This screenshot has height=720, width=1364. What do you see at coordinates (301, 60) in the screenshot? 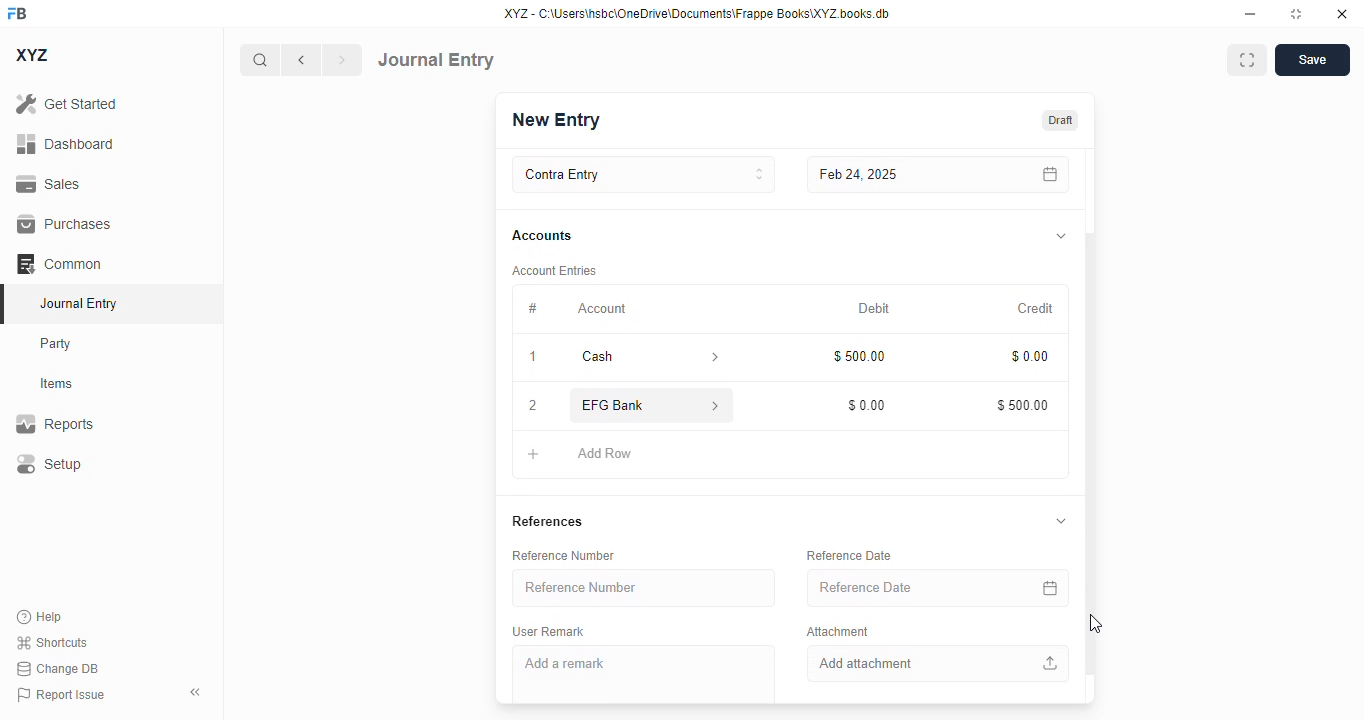
I see `previous` at bounding box center [301, 60].